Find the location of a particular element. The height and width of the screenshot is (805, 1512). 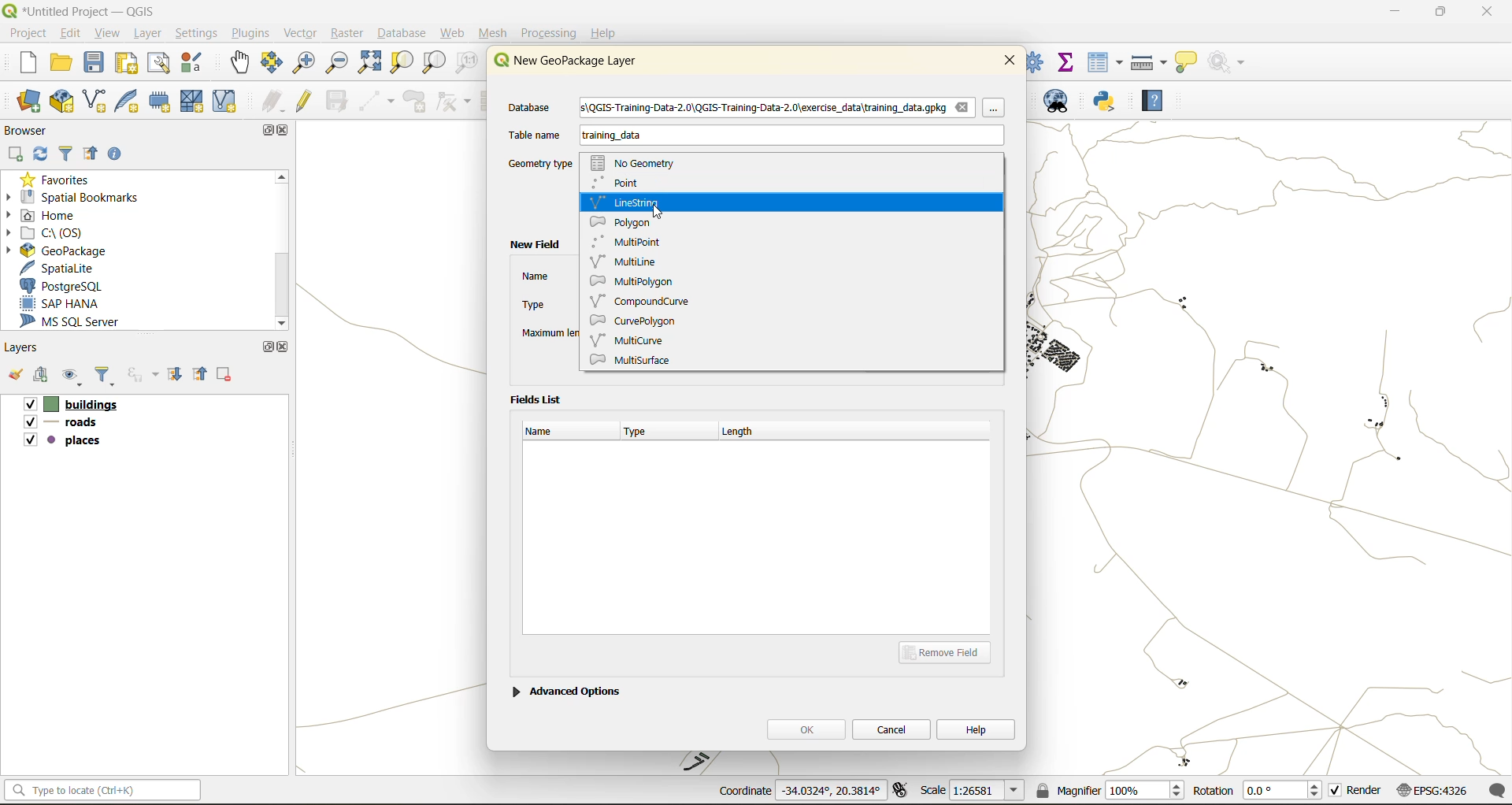

close is located at coordinates (283, 347).